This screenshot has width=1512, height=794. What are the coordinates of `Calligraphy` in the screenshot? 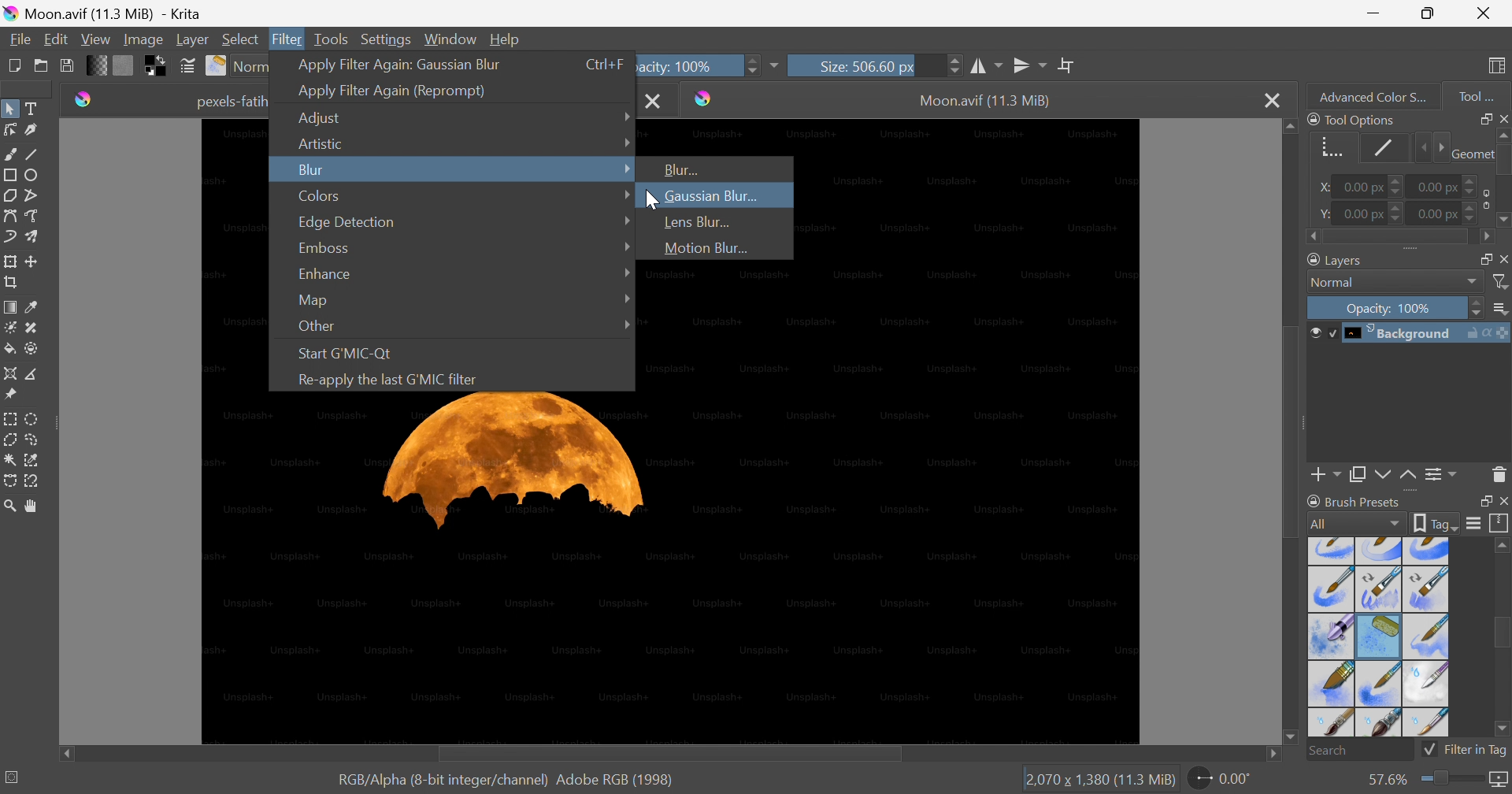 It's located at (34, 129).